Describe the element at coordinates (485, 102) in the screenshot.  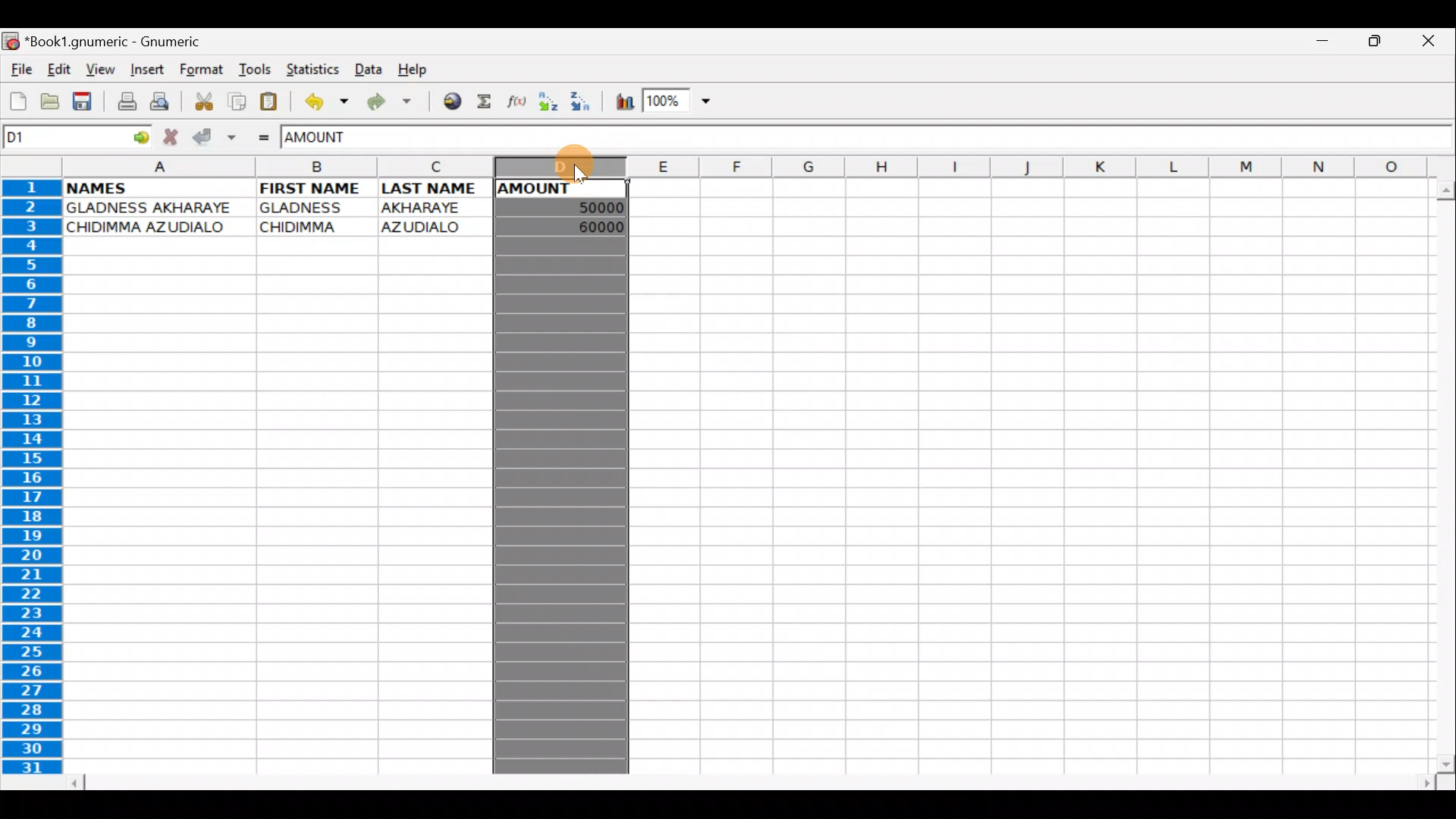
I see `Sum in the current cell` at that location.